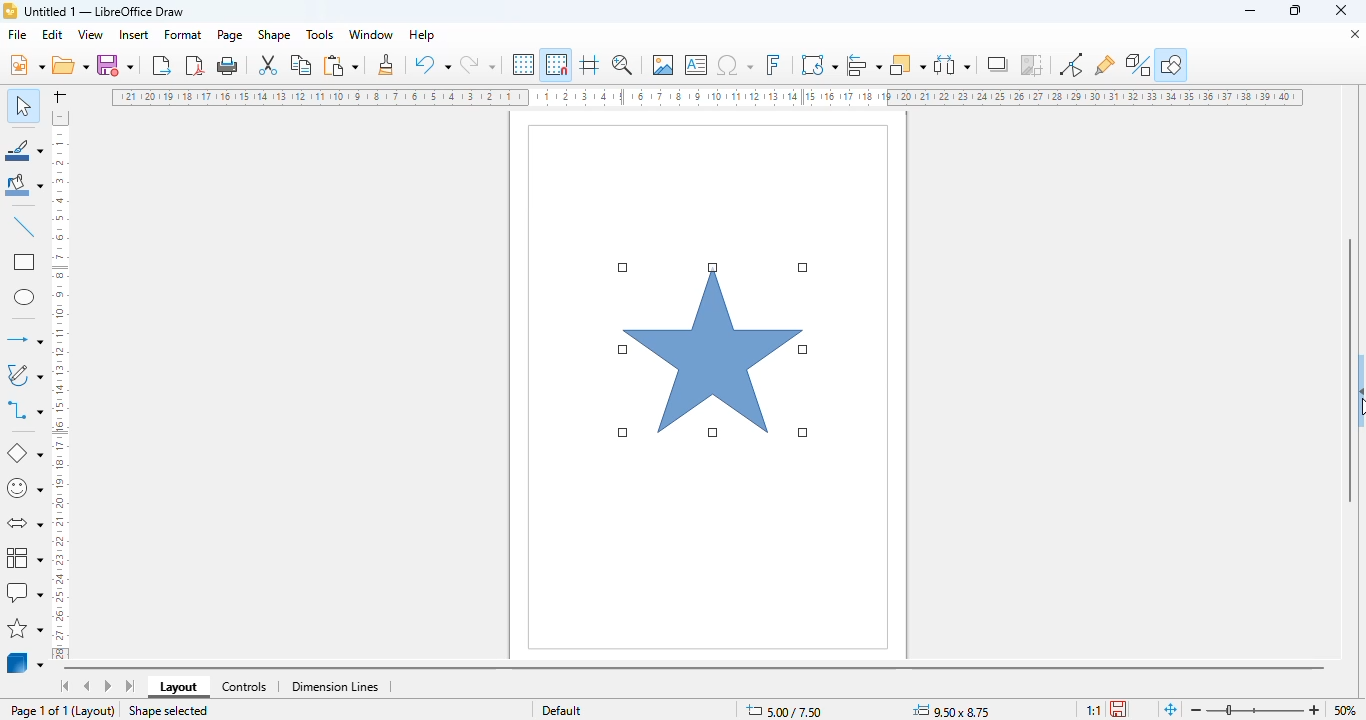 The width and height of the screenshot is (1366, 720). I want to click on new, so click(26, 65).